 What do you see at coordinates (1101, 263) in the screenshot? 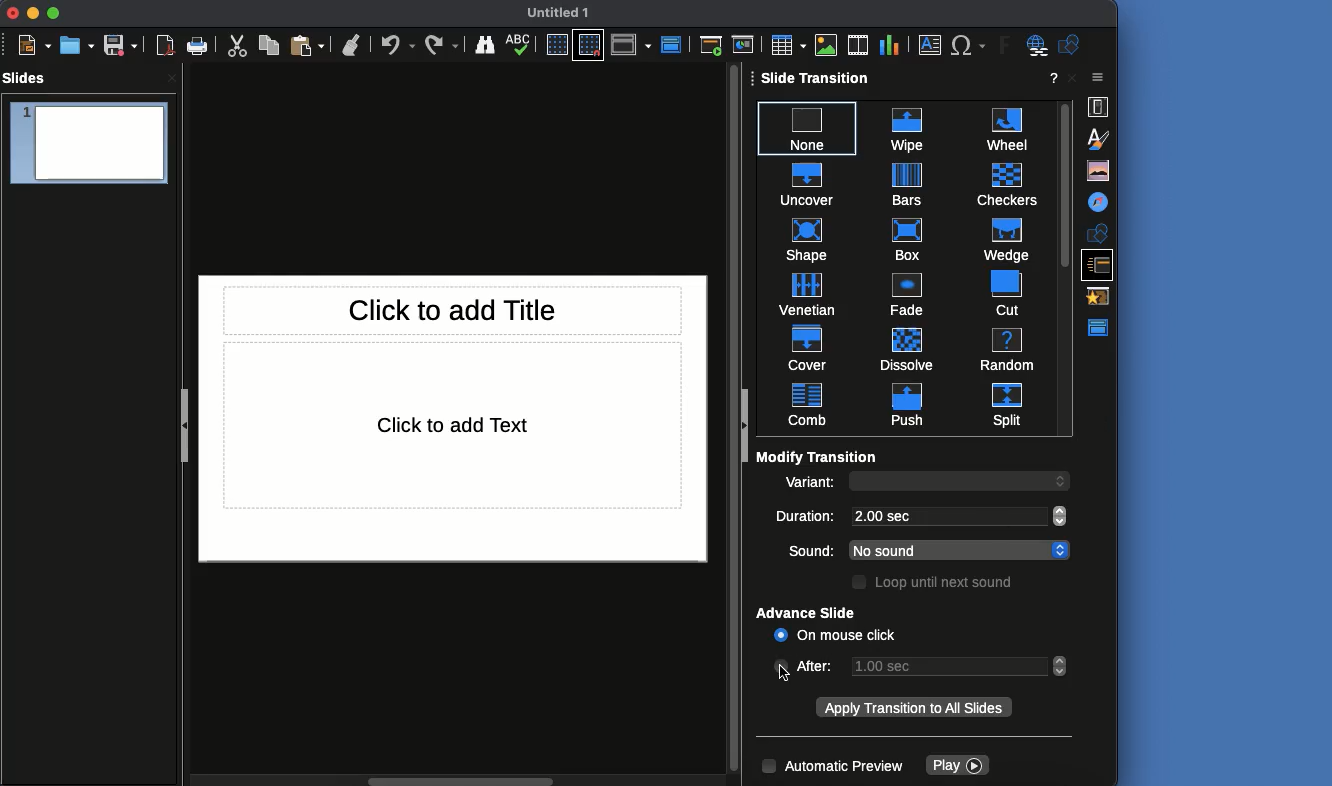
I see `Slide transition` at bounding box center [1101, 263].